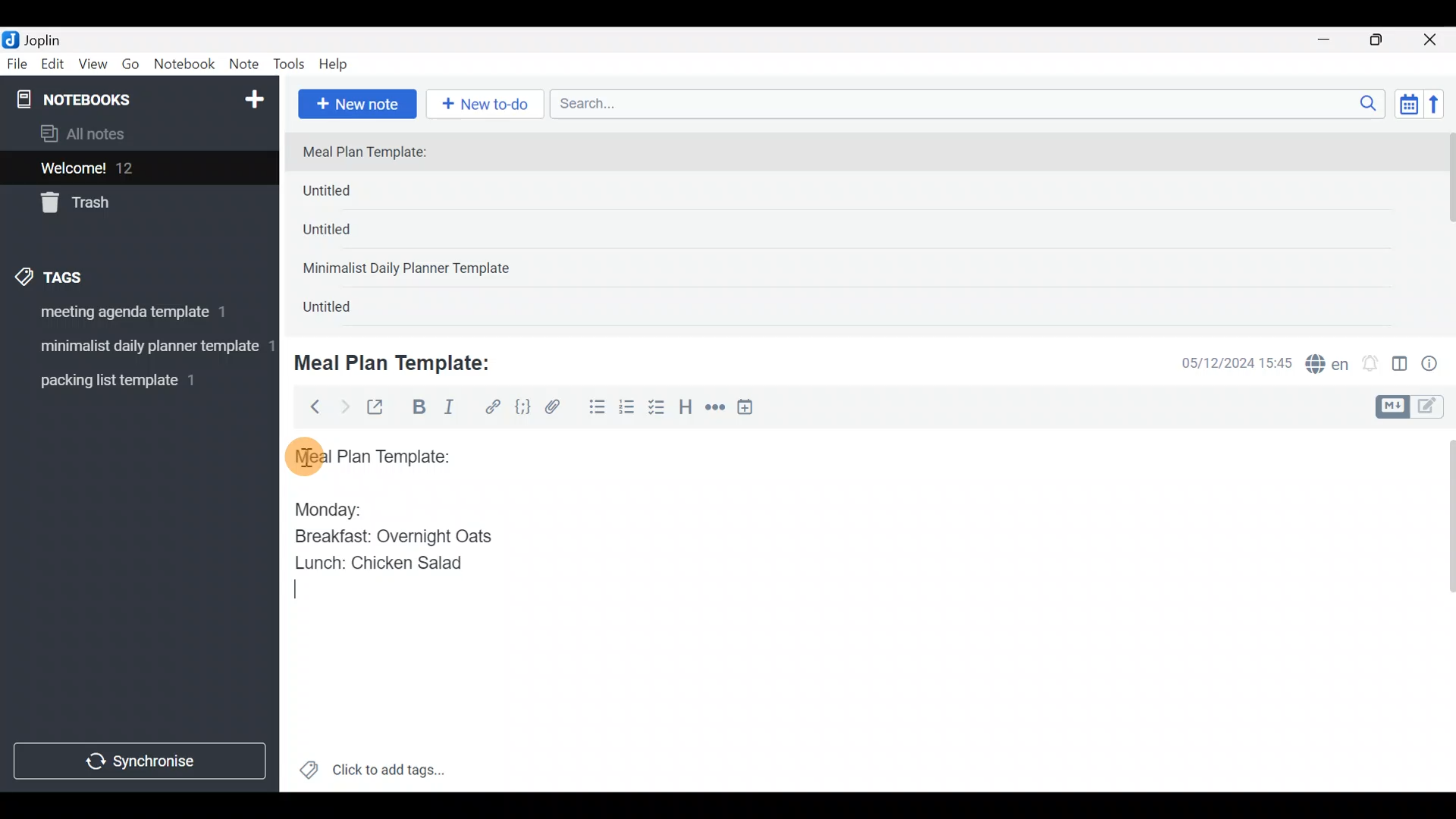 This screenshot has width=1456, height=819. I want to click on Close, so click(1432, 41).